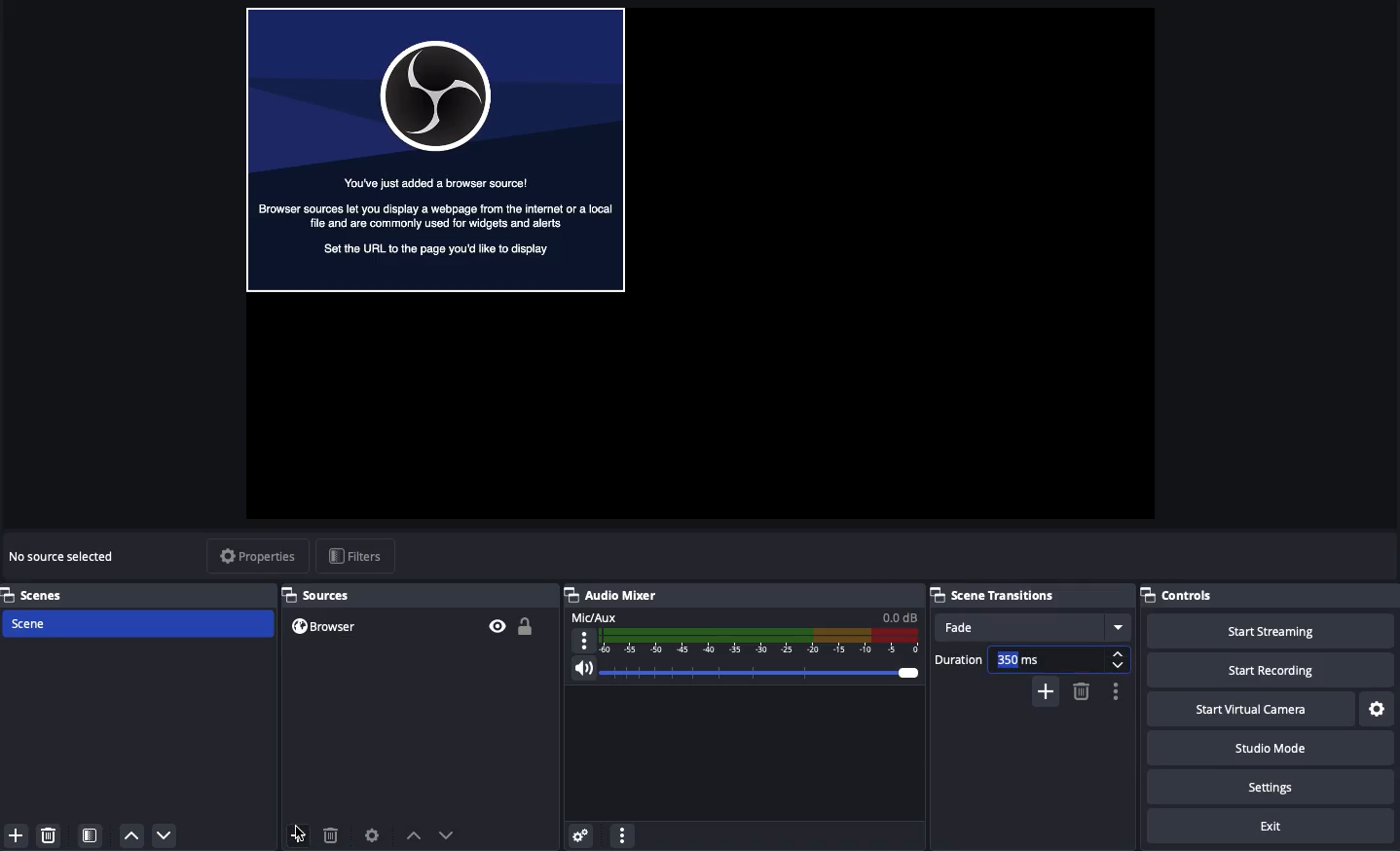 The height and width of the screenshot is (851, 1400). Describe the element at coordinates (743, 671) in the screenshot. I see `Volume` at that location.